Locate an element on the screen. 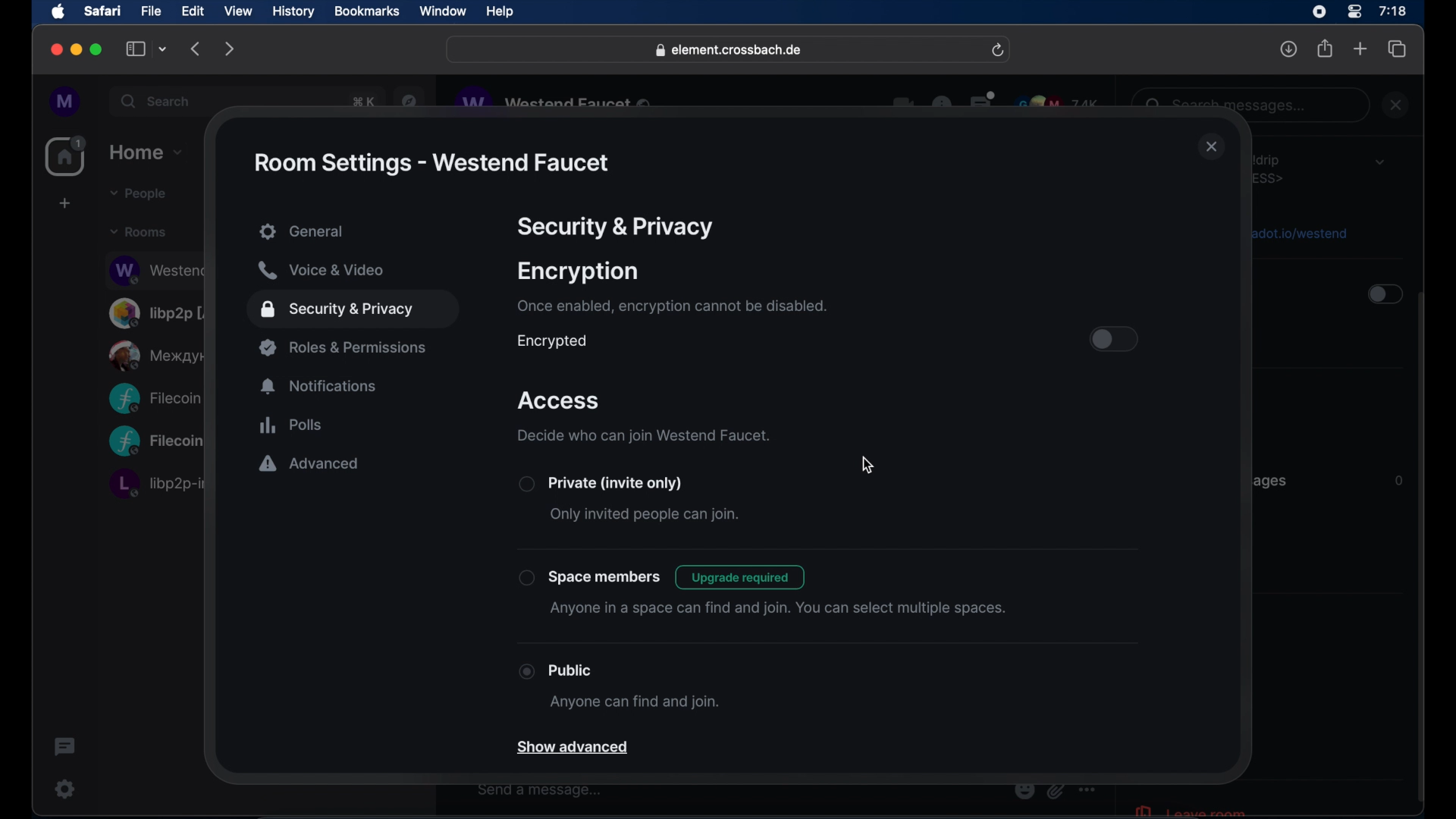 This screenshot has height=819, width=1456. obscure is located at coordinates (155, 483).